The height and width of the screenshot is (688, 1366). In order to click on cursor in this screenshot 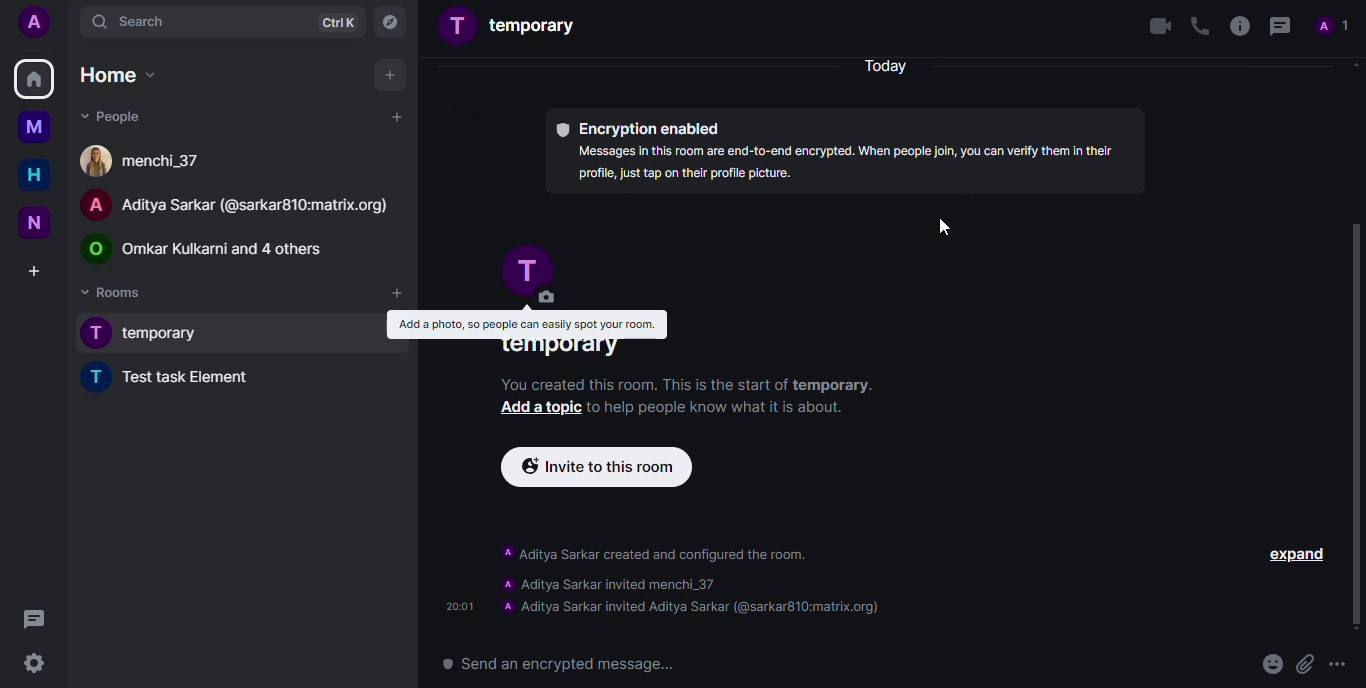, I will do `click(943, 227)`.